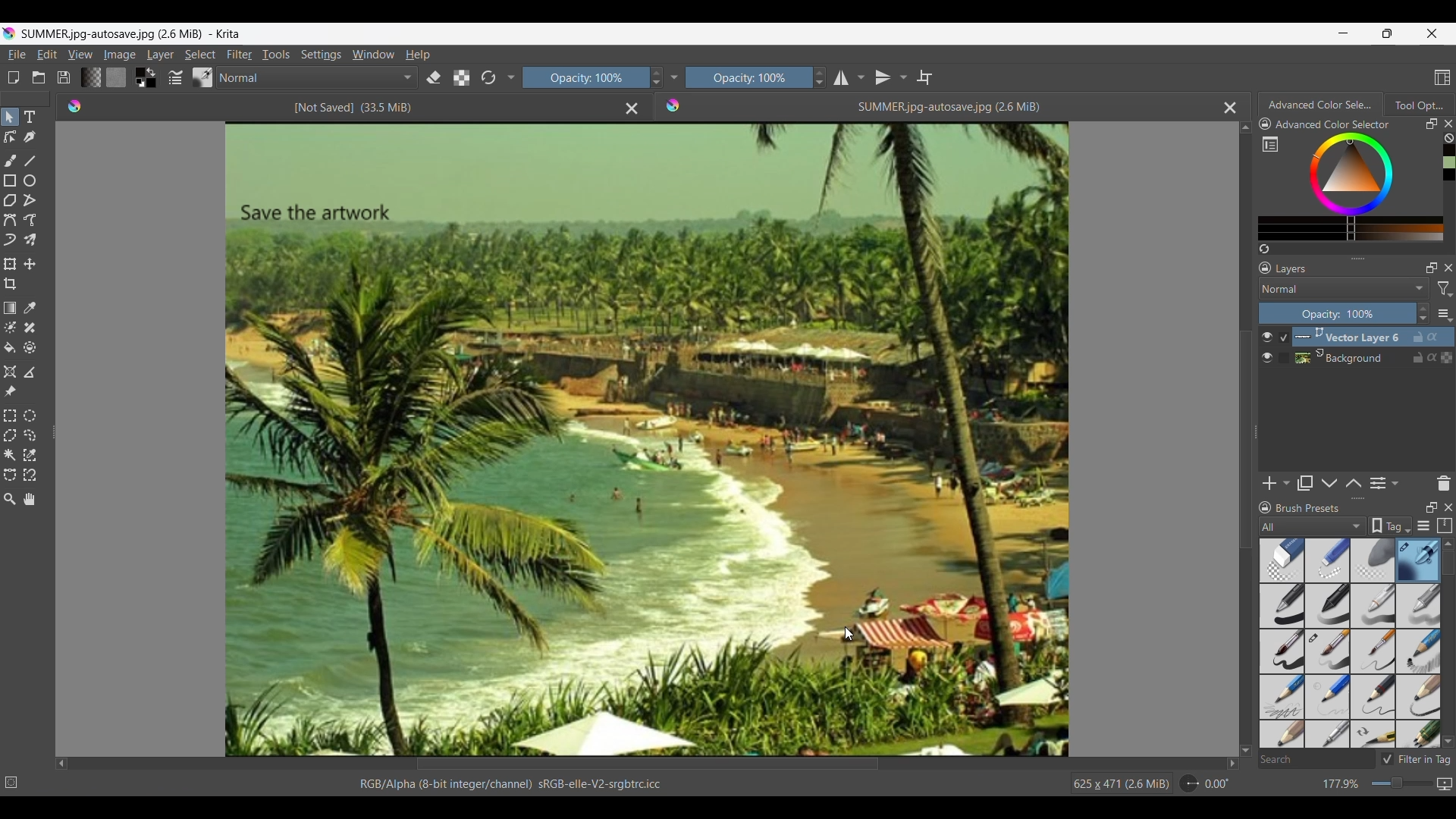 This screenshot has width=1456, height=819. Describe the element at coordinates (632, 109) in the screenshot. I see `Close earlier tab` at that location.